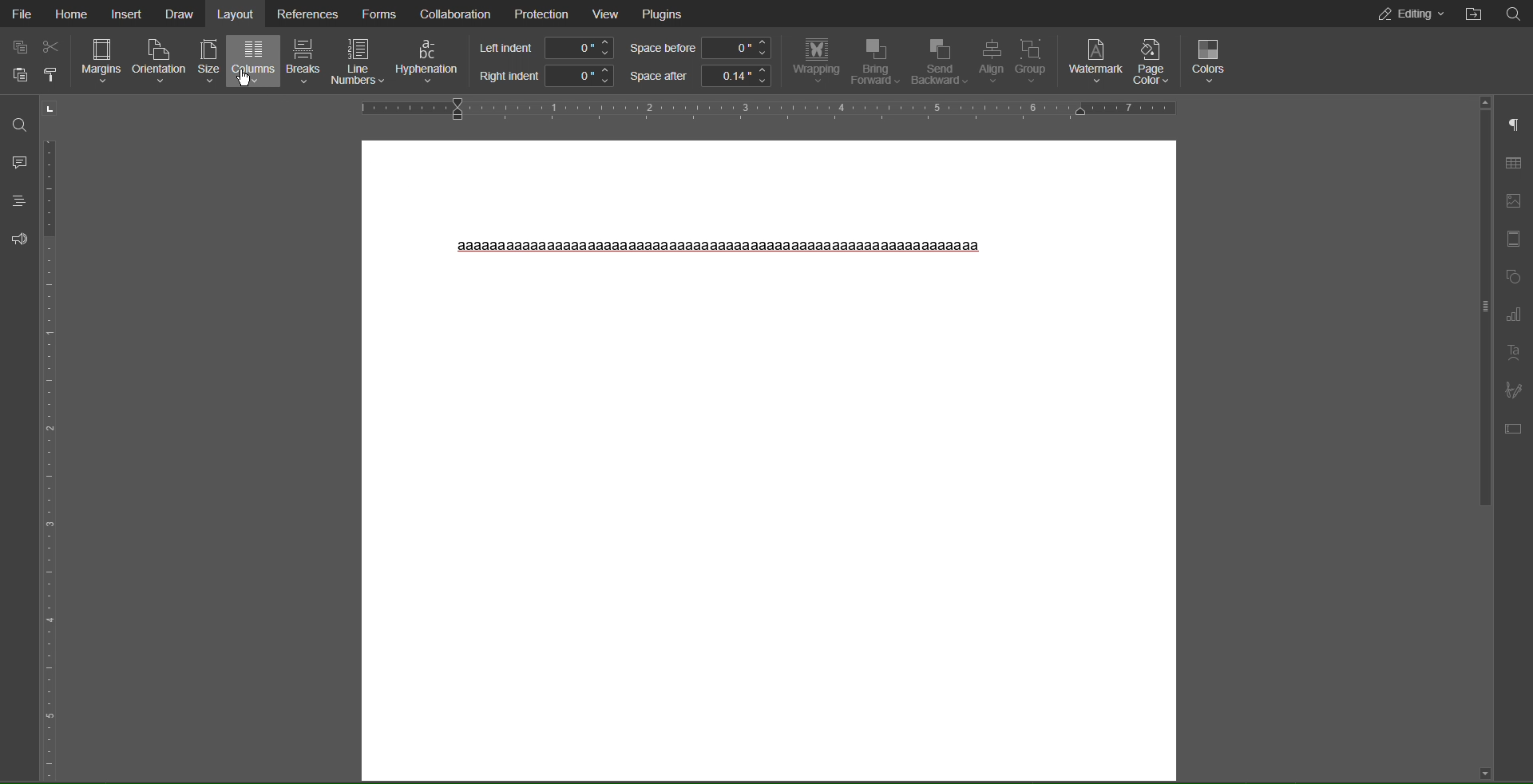 The width and height of the screenshot is (1533, 784). What do you see at coordinates (1515, 388) in the screenshot?
I see `Signature` at bounding box center [1515, 388].